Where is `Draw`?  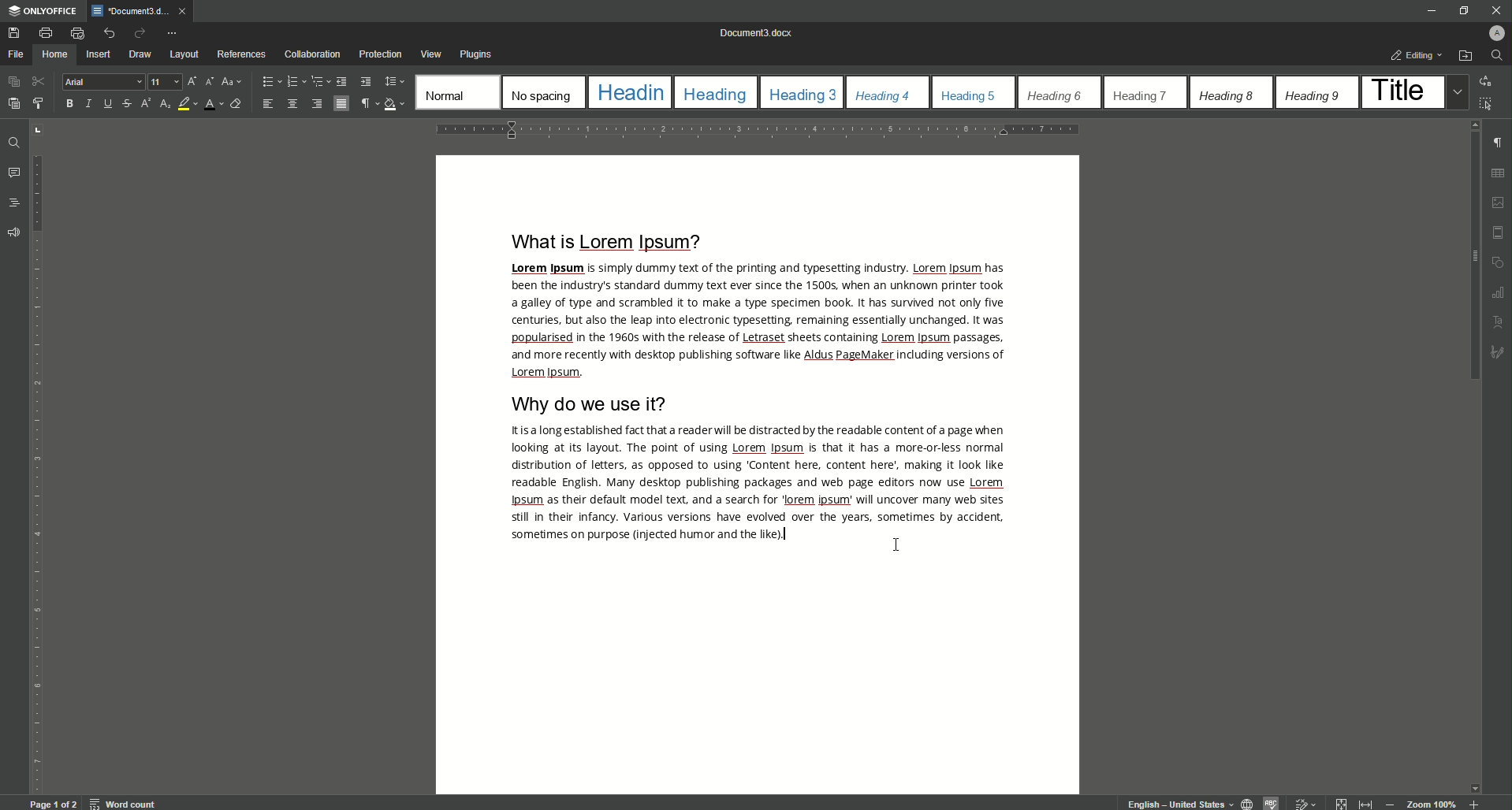 Draw is located at coordinates (142, 54).